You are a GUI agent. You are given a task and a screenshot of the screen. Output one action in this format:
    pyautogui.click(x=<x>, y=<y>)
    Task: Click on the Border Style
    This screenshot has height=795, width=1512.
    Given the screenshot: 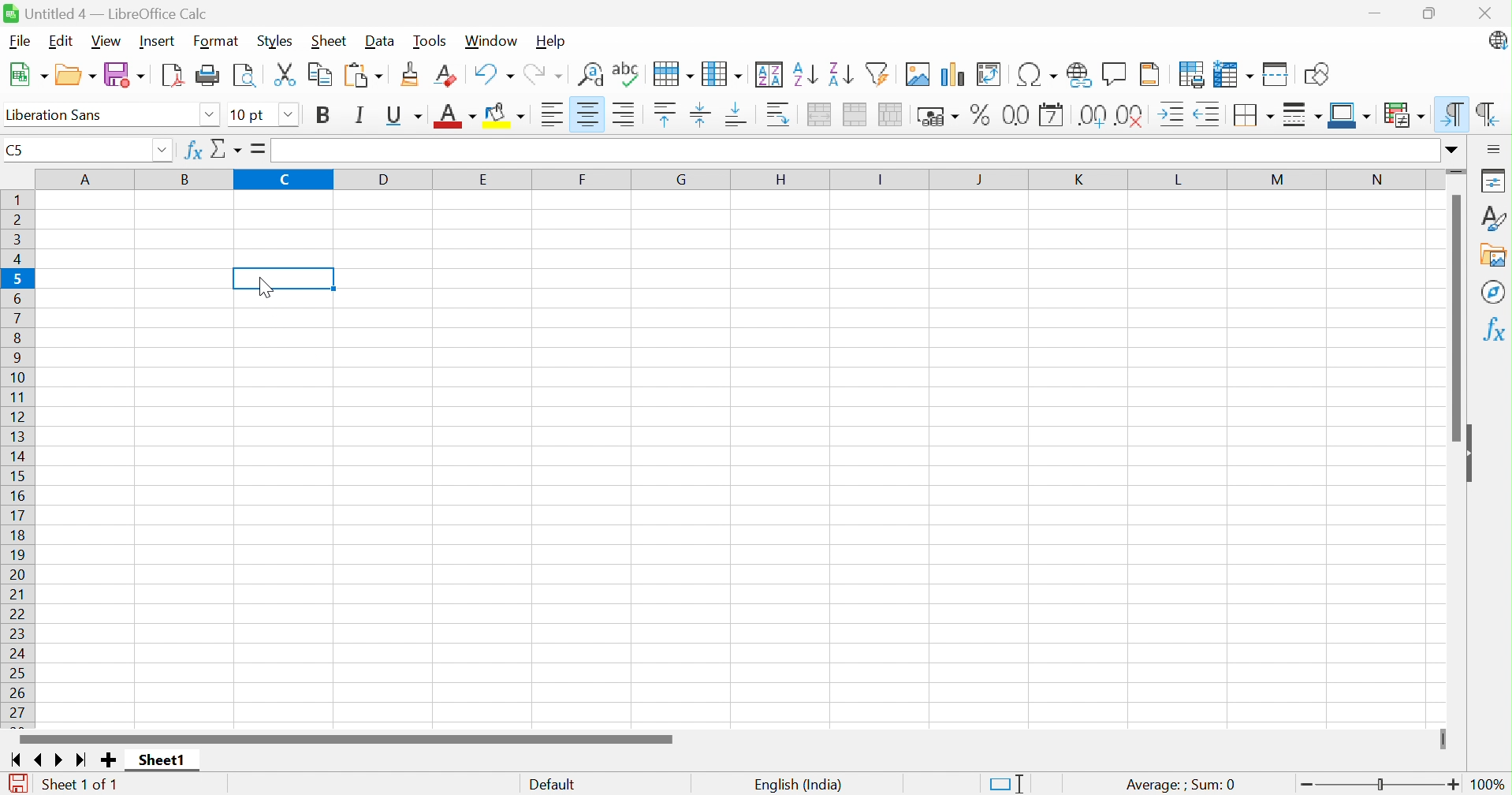 What is the action you would take?
    pyautogui.click(x=1303, y=115)
    